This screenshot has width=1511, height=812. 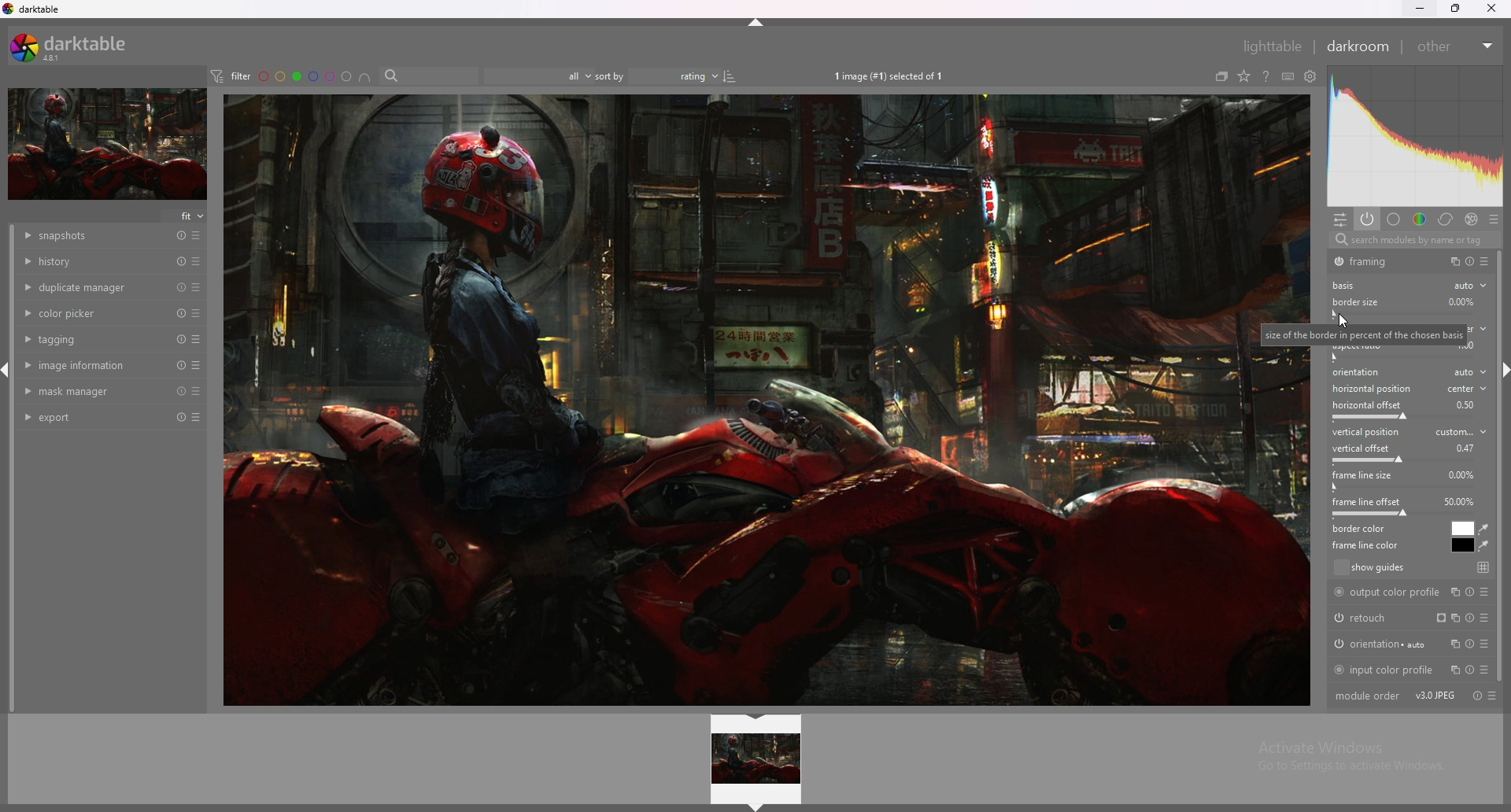 I want to click on presets, so click(x=1486, y=262).